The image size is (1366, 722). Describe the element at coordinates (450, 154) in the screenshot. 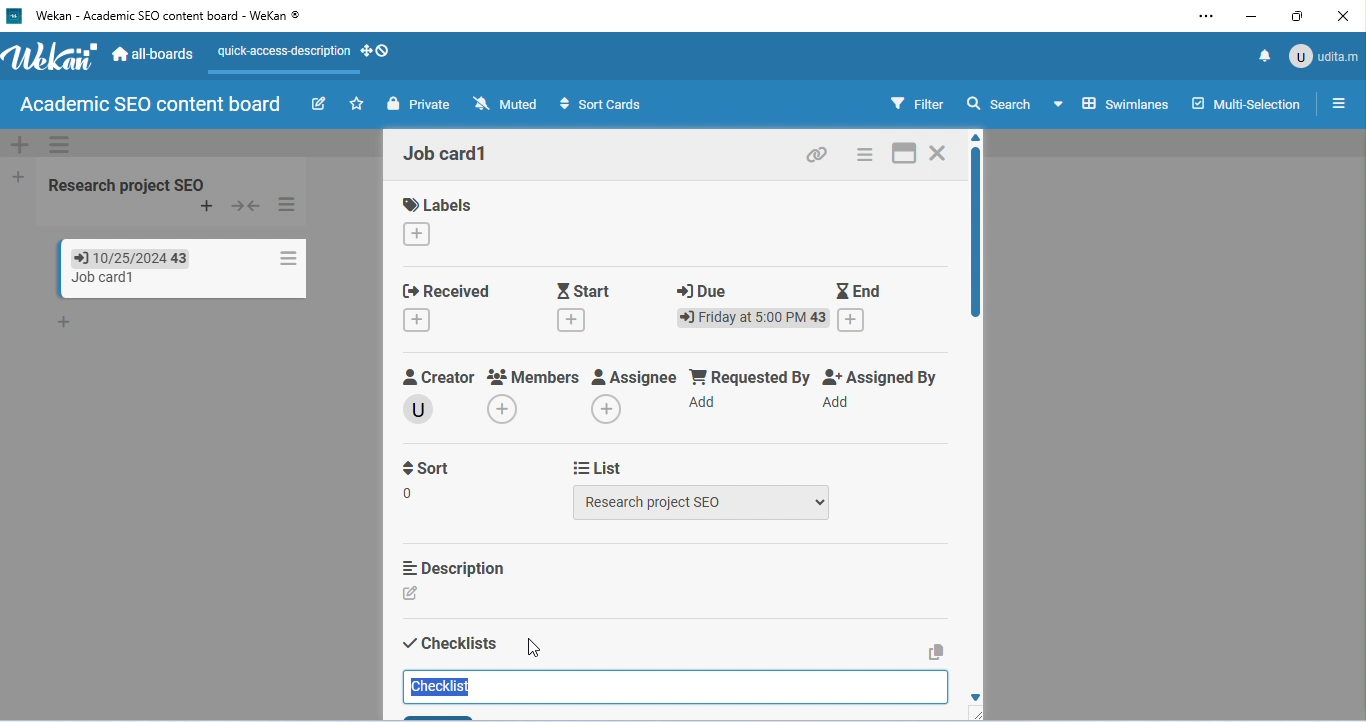

I see `card name` at that location.